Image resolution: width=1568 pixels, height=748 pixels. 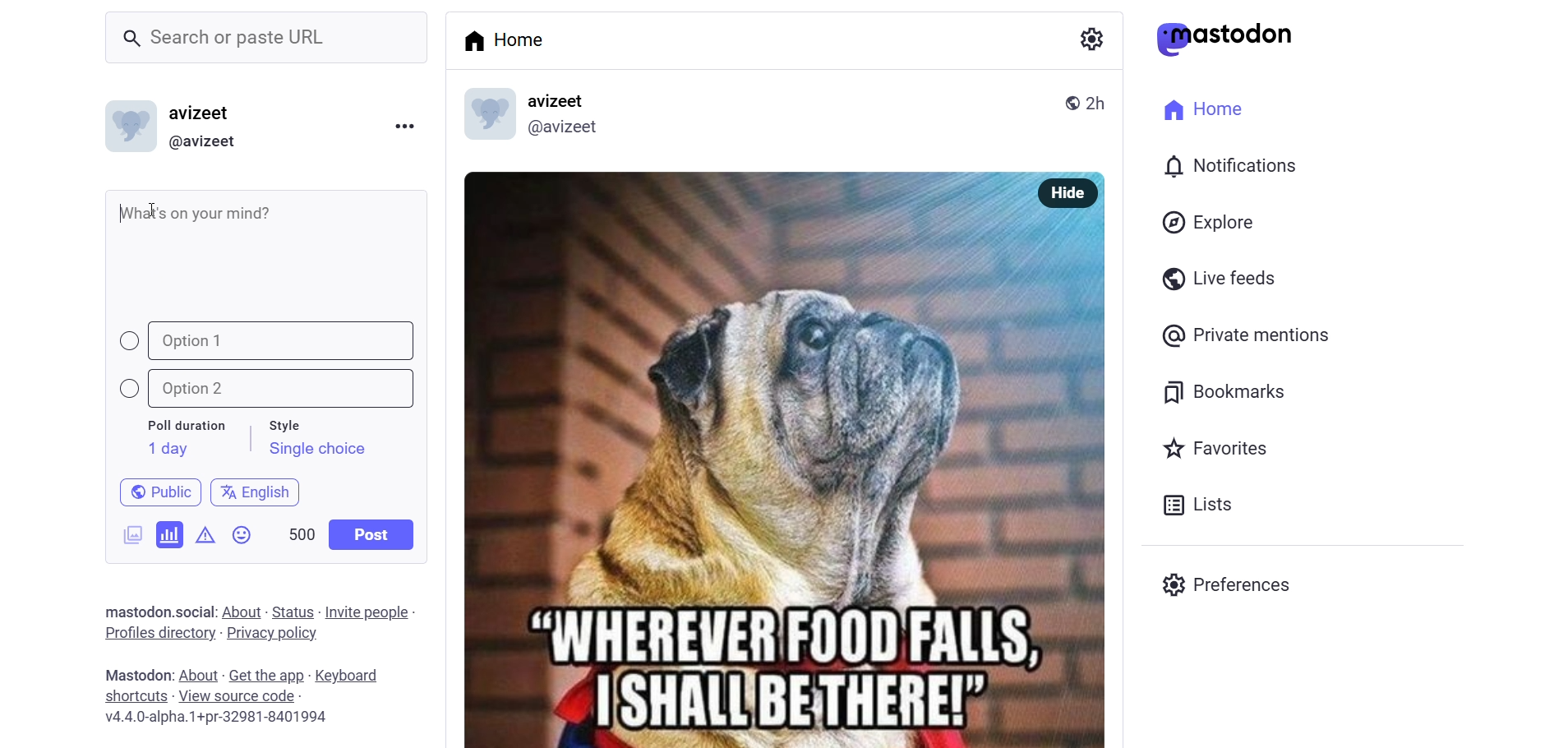 What do you see at coordinates (404, 124) in the screenshot?
I see `more` at bounding box center [404, 124].